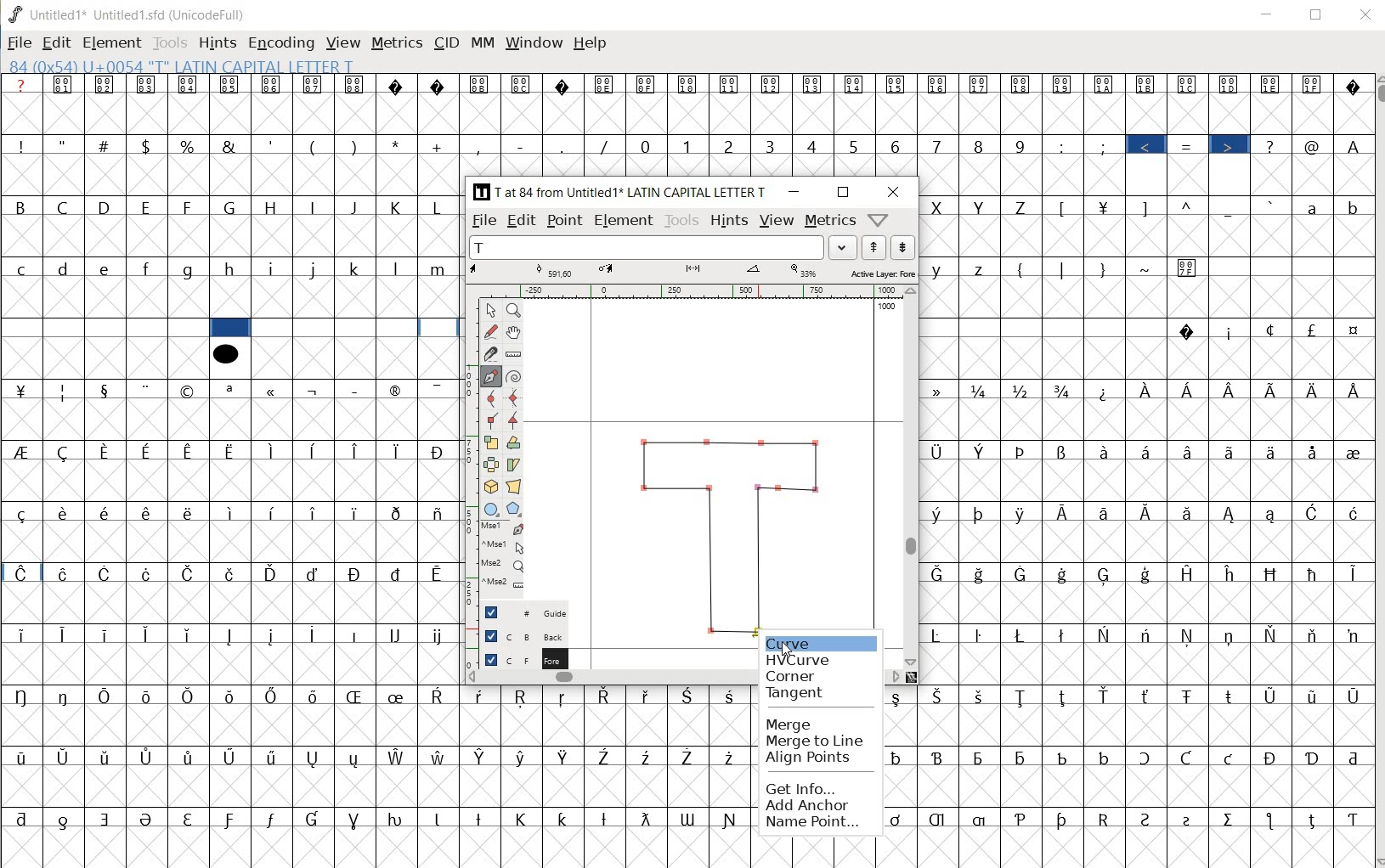 The image size is (1385, 868). Describe the element at coordinates (1189, 451) in the screenshot. I see `Symbol` at that location.